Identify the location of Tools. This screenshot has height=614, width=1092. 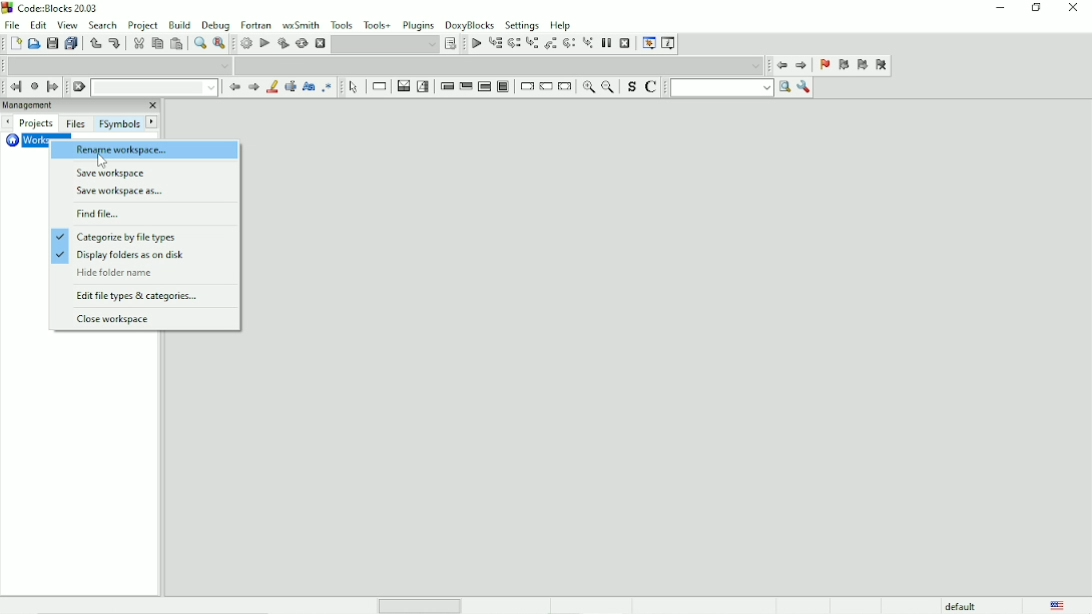
(342, 24).